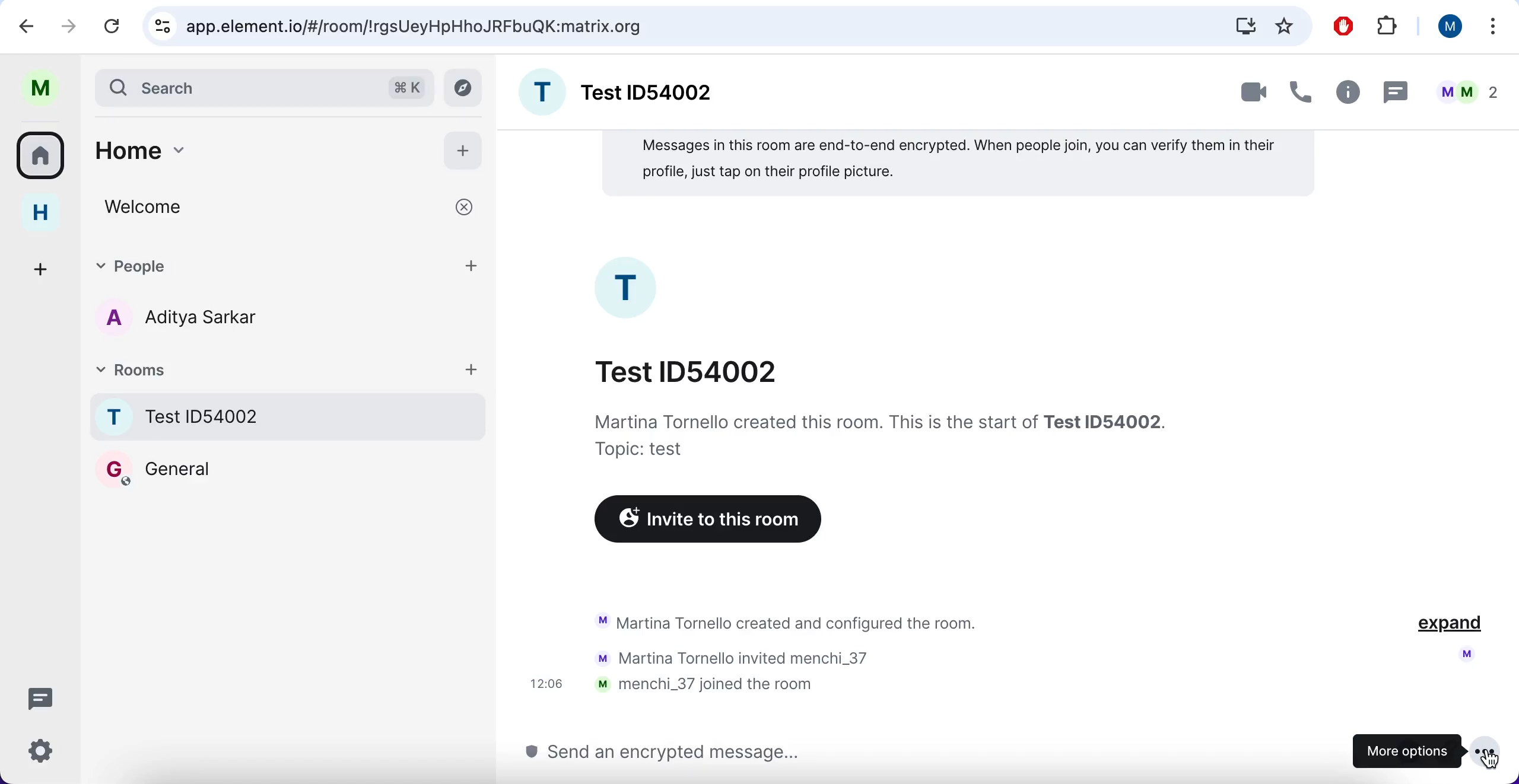  What do you see at coordinates (1397, 90) in the screenshot?
I see `thread` at bounding box center [1397, 90].